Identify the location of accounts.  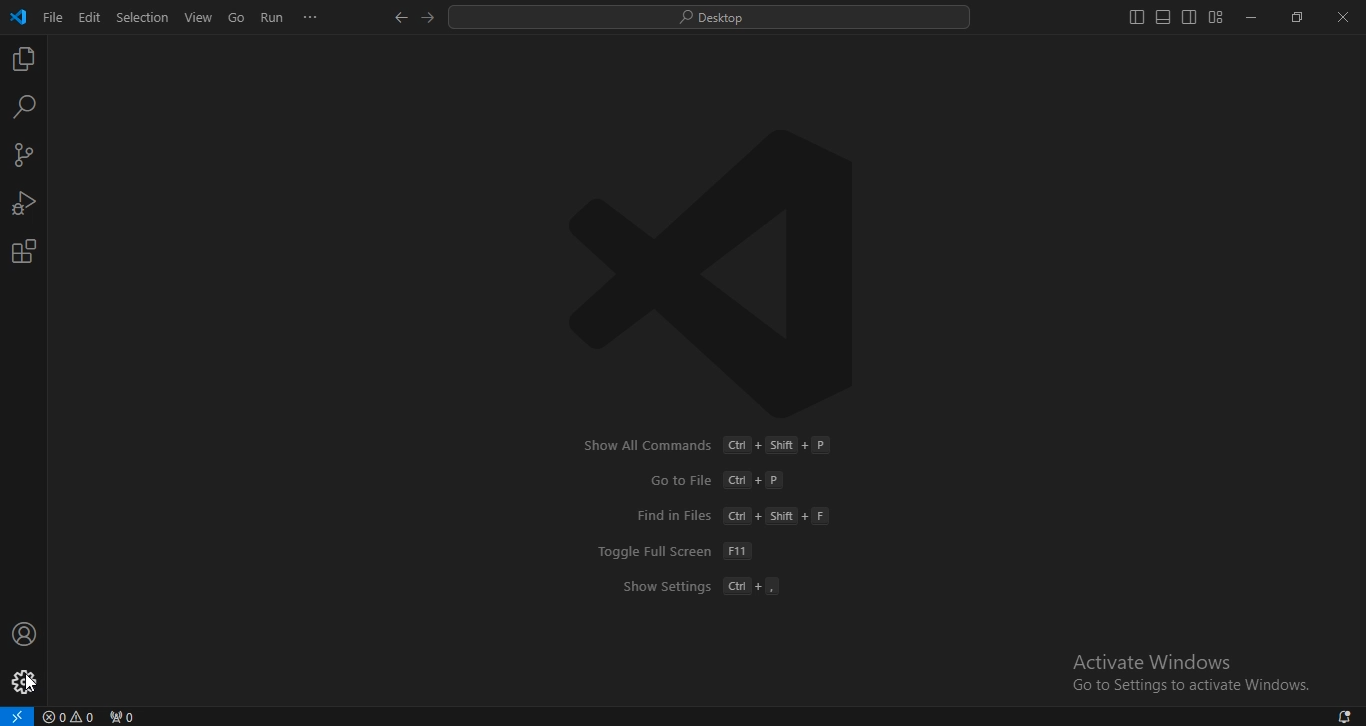
(23, 634).